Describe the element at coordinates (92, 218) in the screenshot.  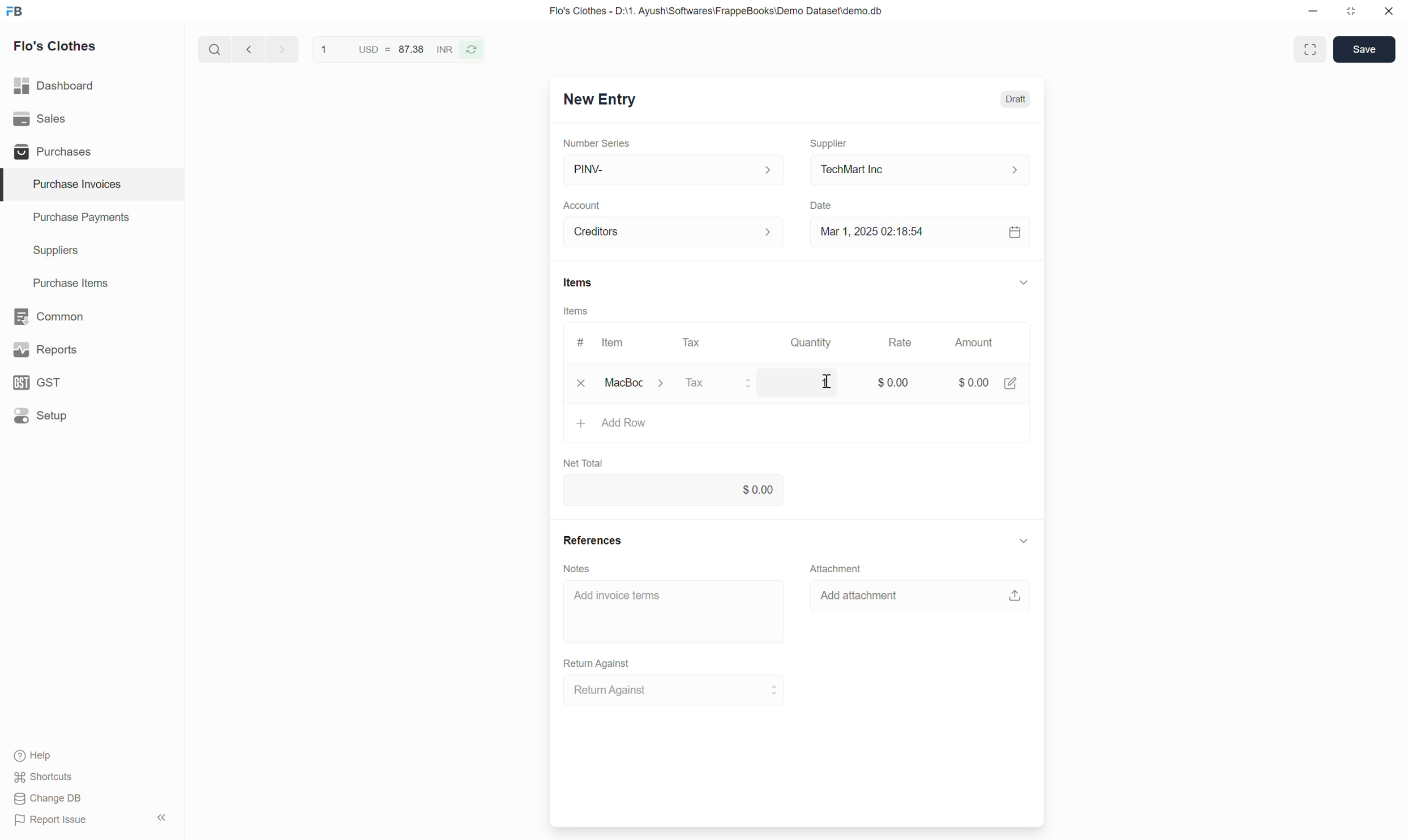
I see `Purchase Payments` at that location.